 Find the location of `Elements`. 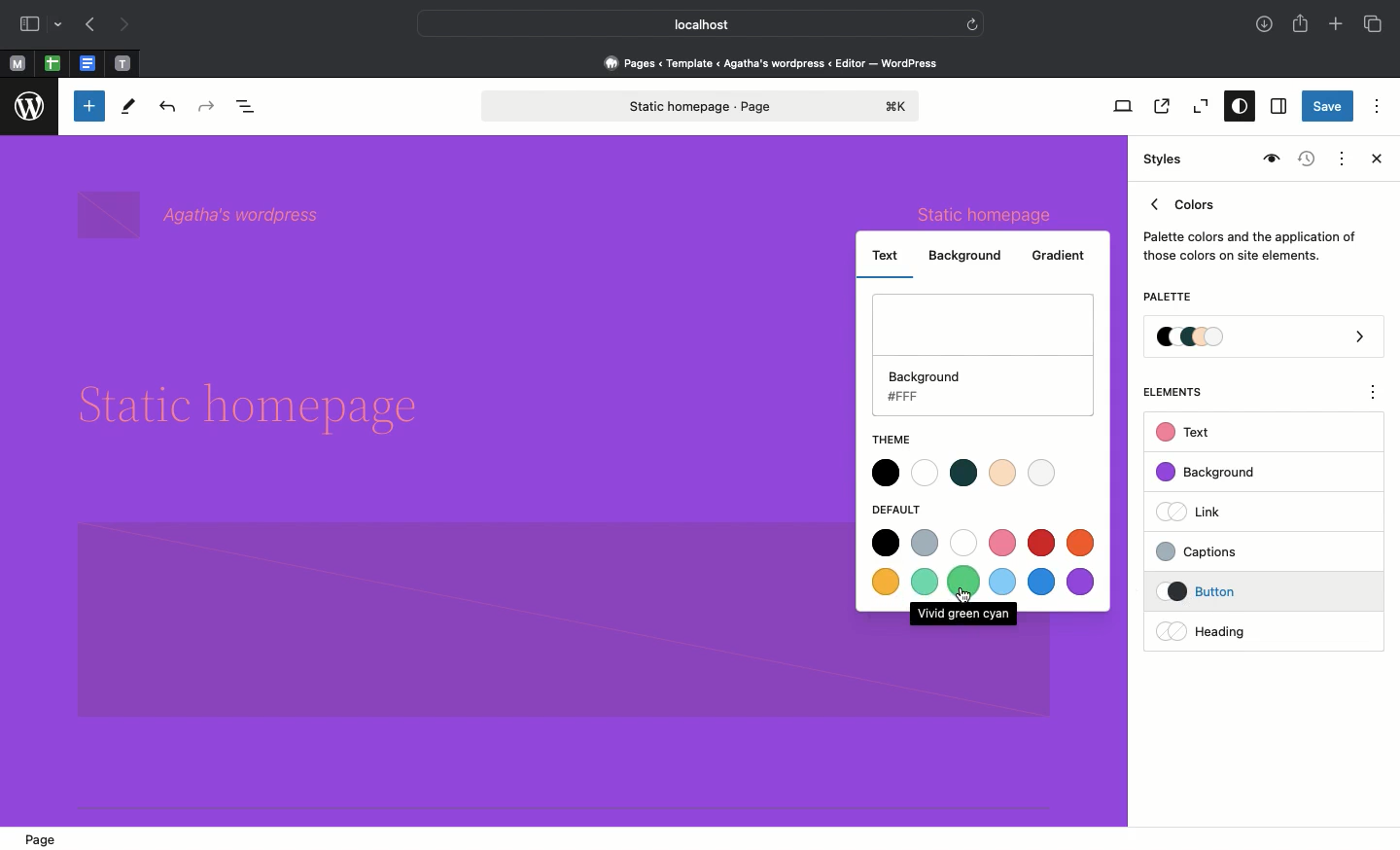

Elements is located at coordinates (1183, 392).